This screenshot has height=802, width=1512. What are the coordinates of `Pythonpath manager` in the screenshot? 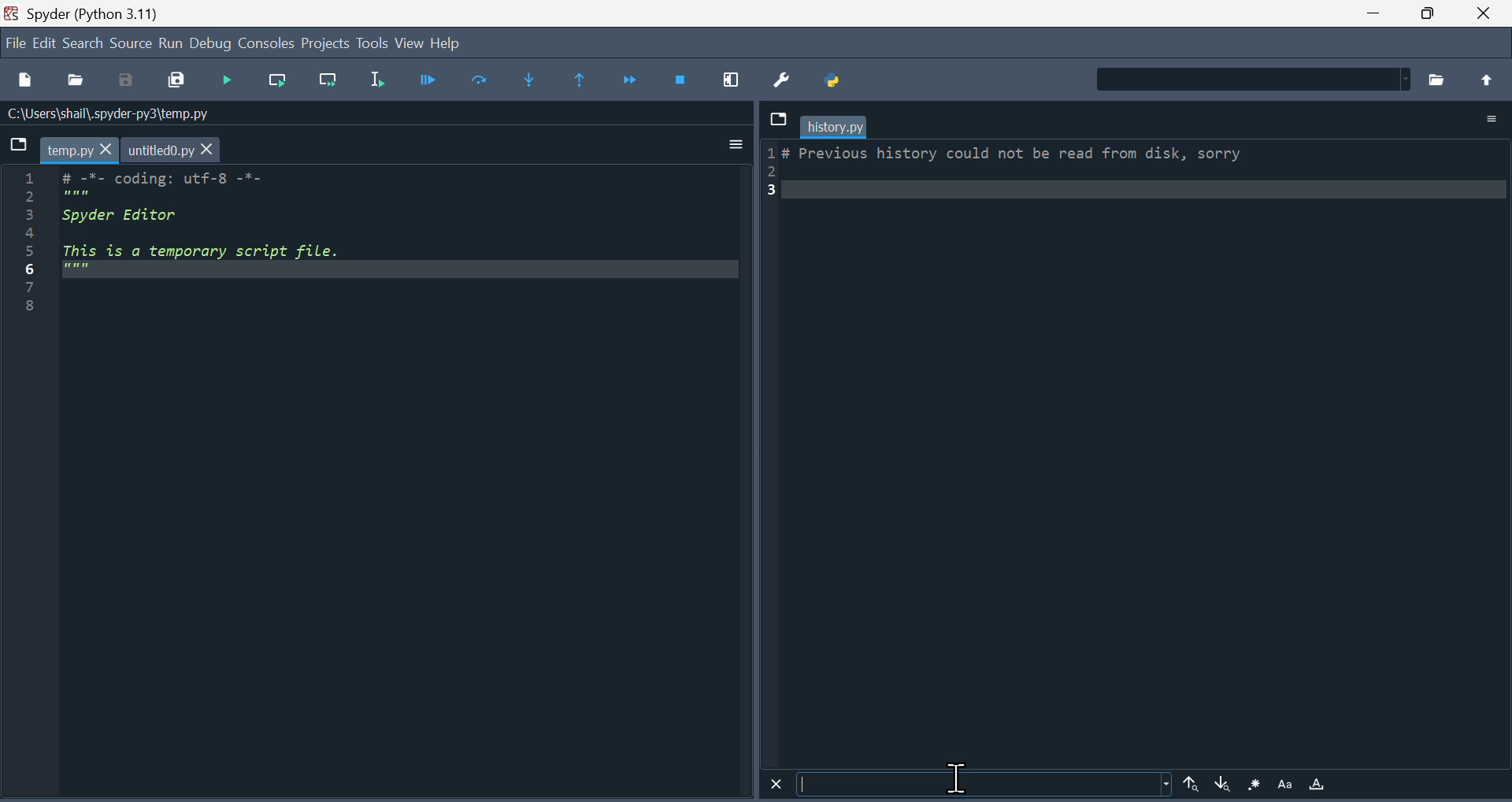 It's located at (845, 81).